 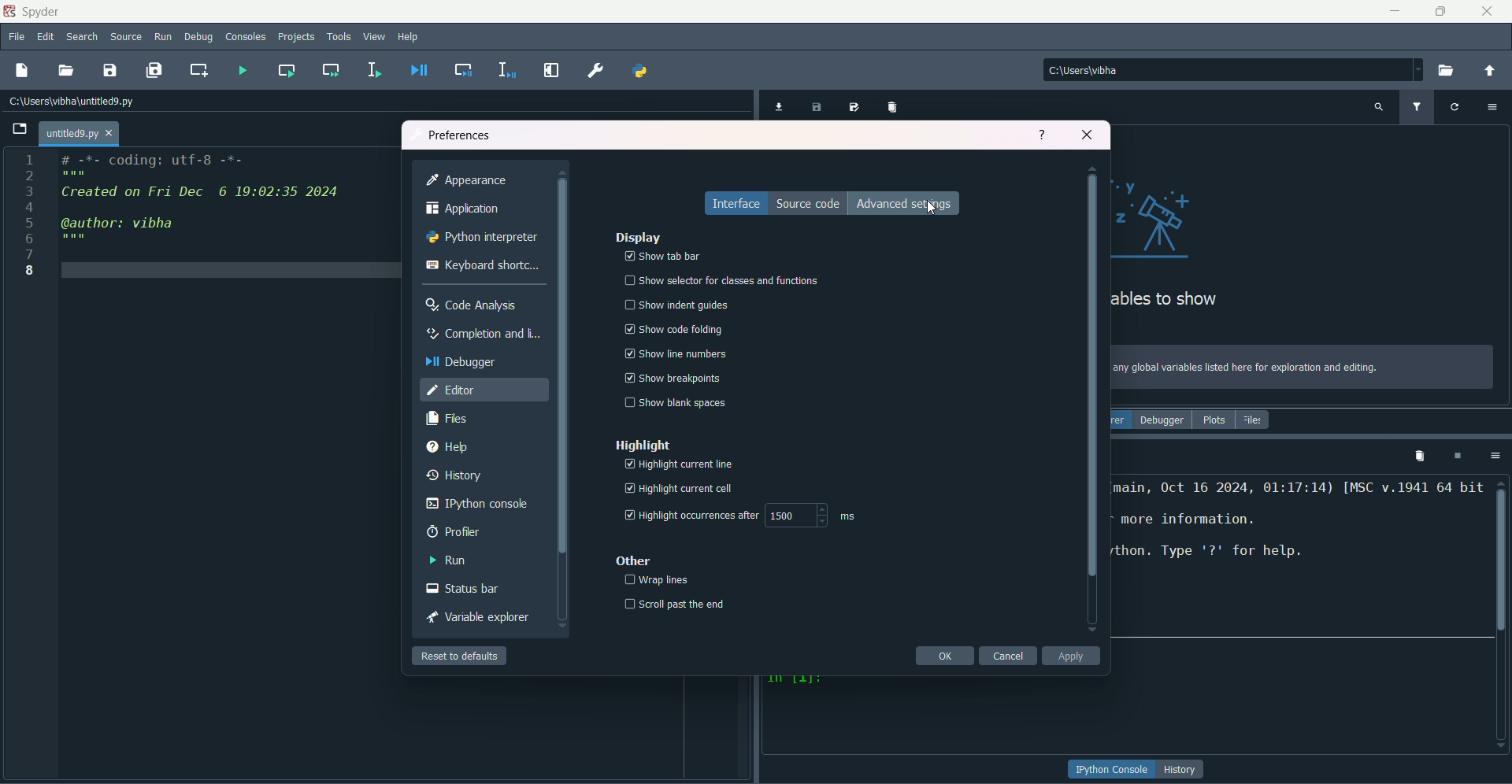 I want to click on preferences, so click(x=460, y=133).